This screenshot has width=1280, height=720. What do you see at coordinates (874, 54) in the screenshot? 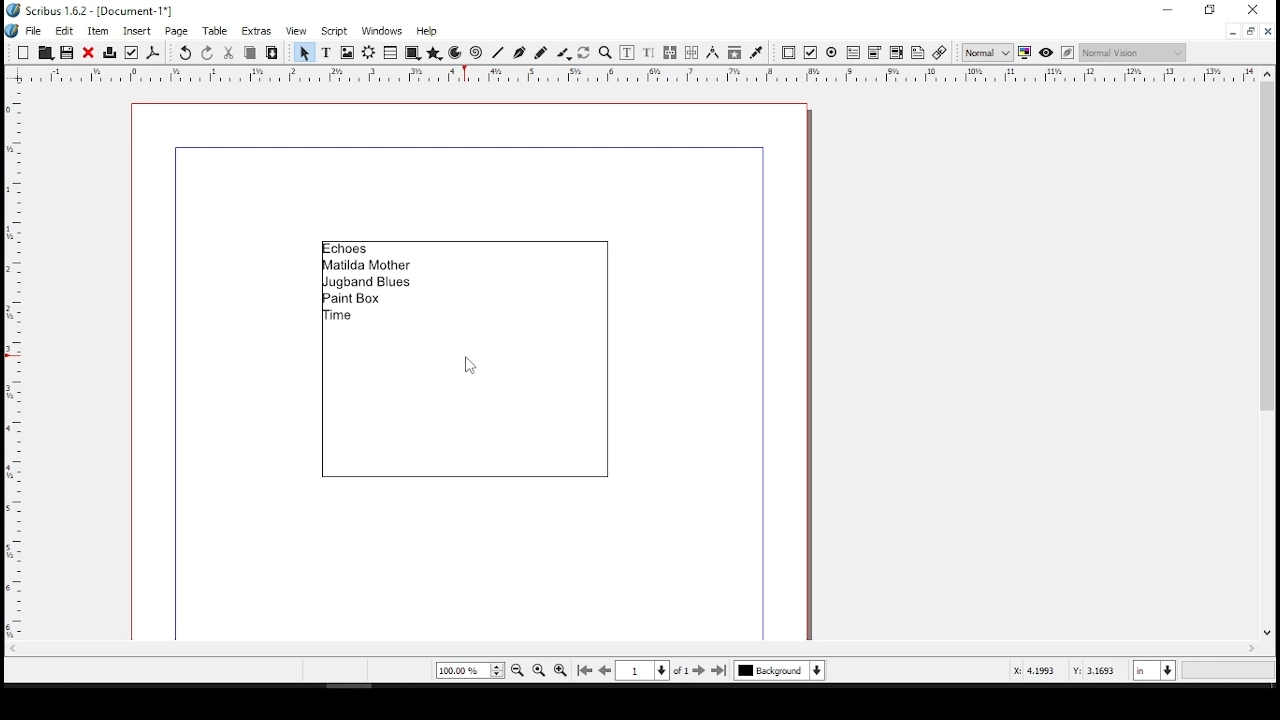
I see `pdf combo box` at bounding box center [874, 54].